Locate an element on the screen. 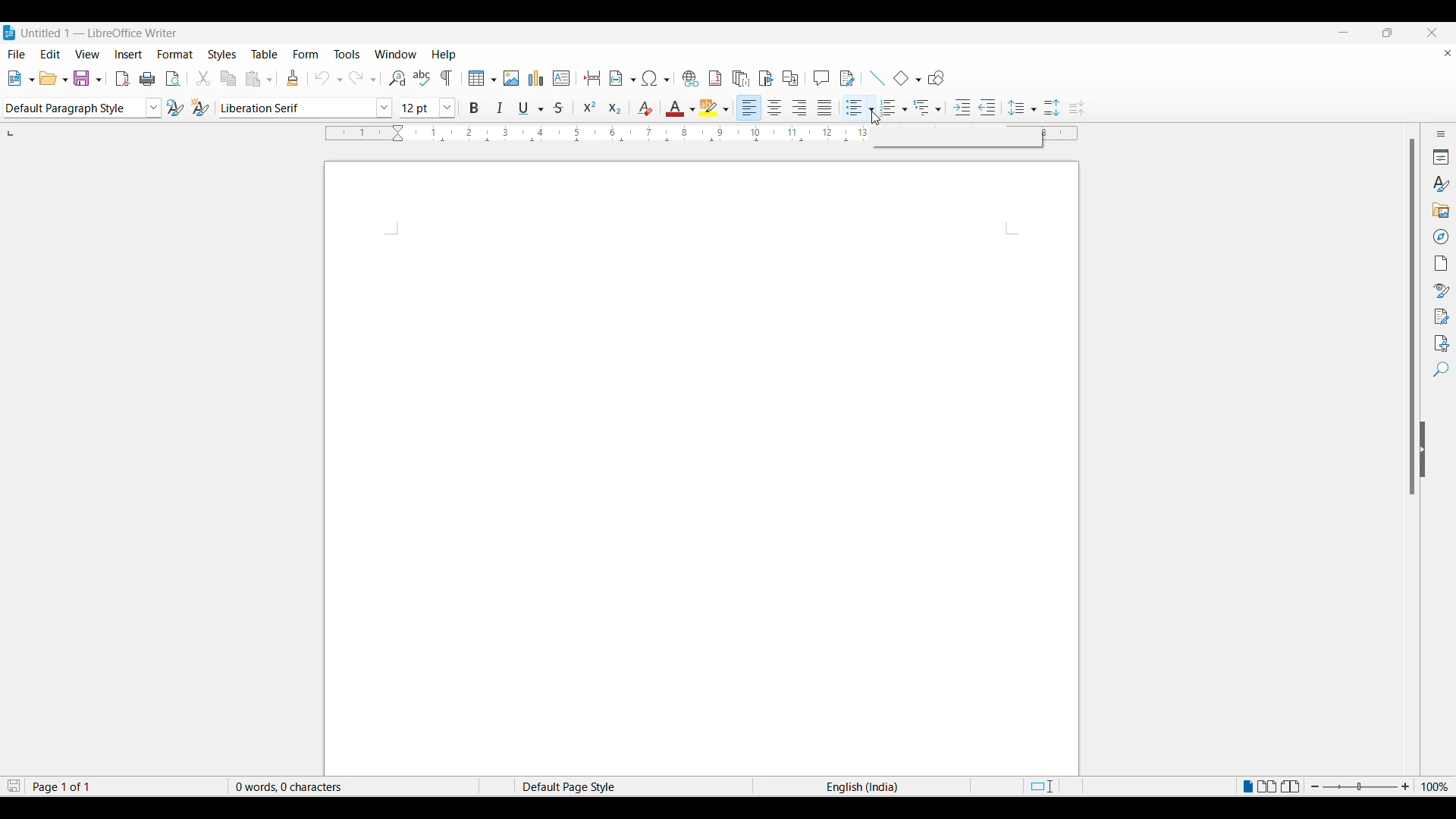 The width and height of the screenshot is (1456, 819). Sidebar settings is located at coordinates (1439, 132).